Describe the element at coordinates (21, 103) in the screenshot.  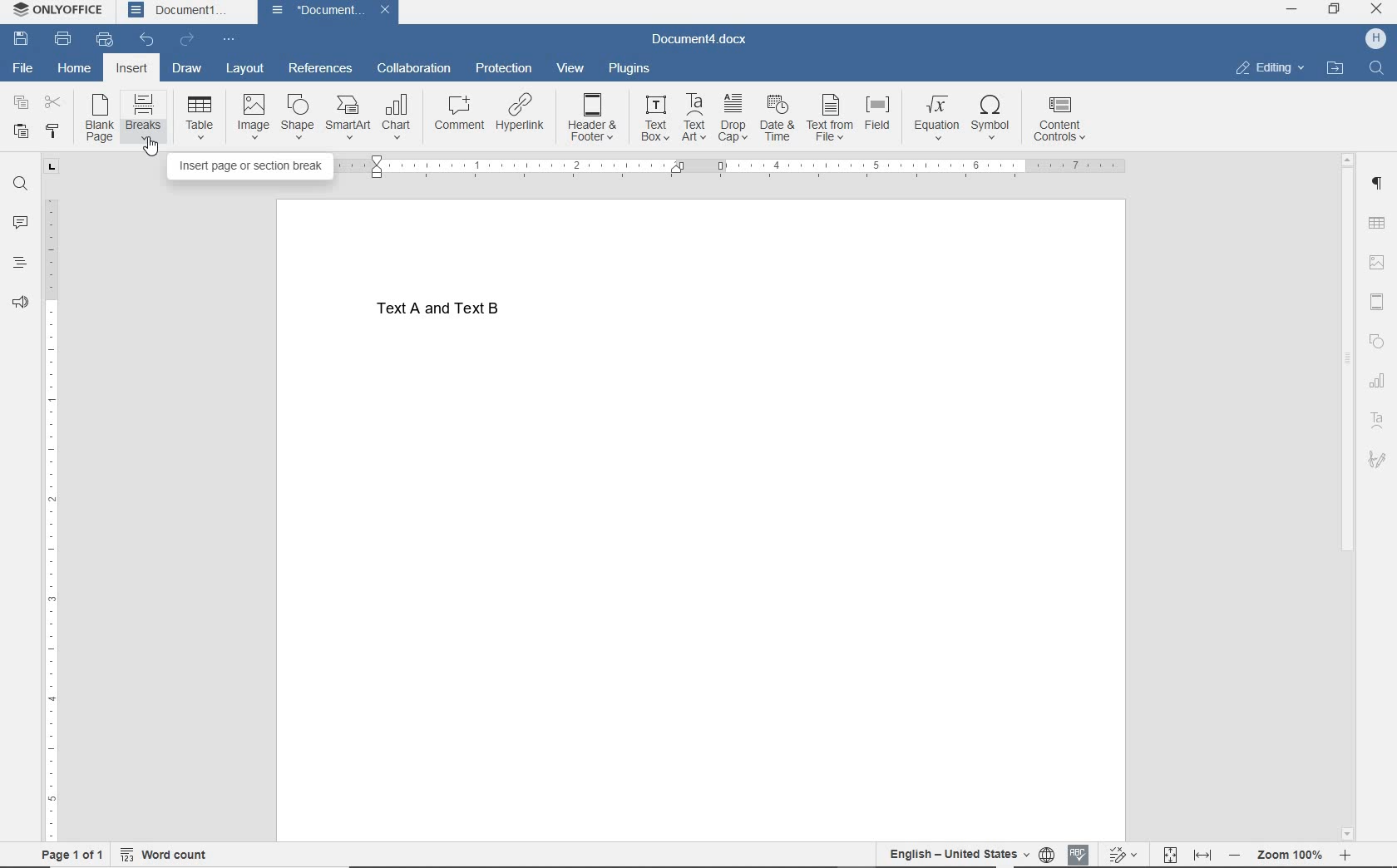
I see `COPY` at that location.